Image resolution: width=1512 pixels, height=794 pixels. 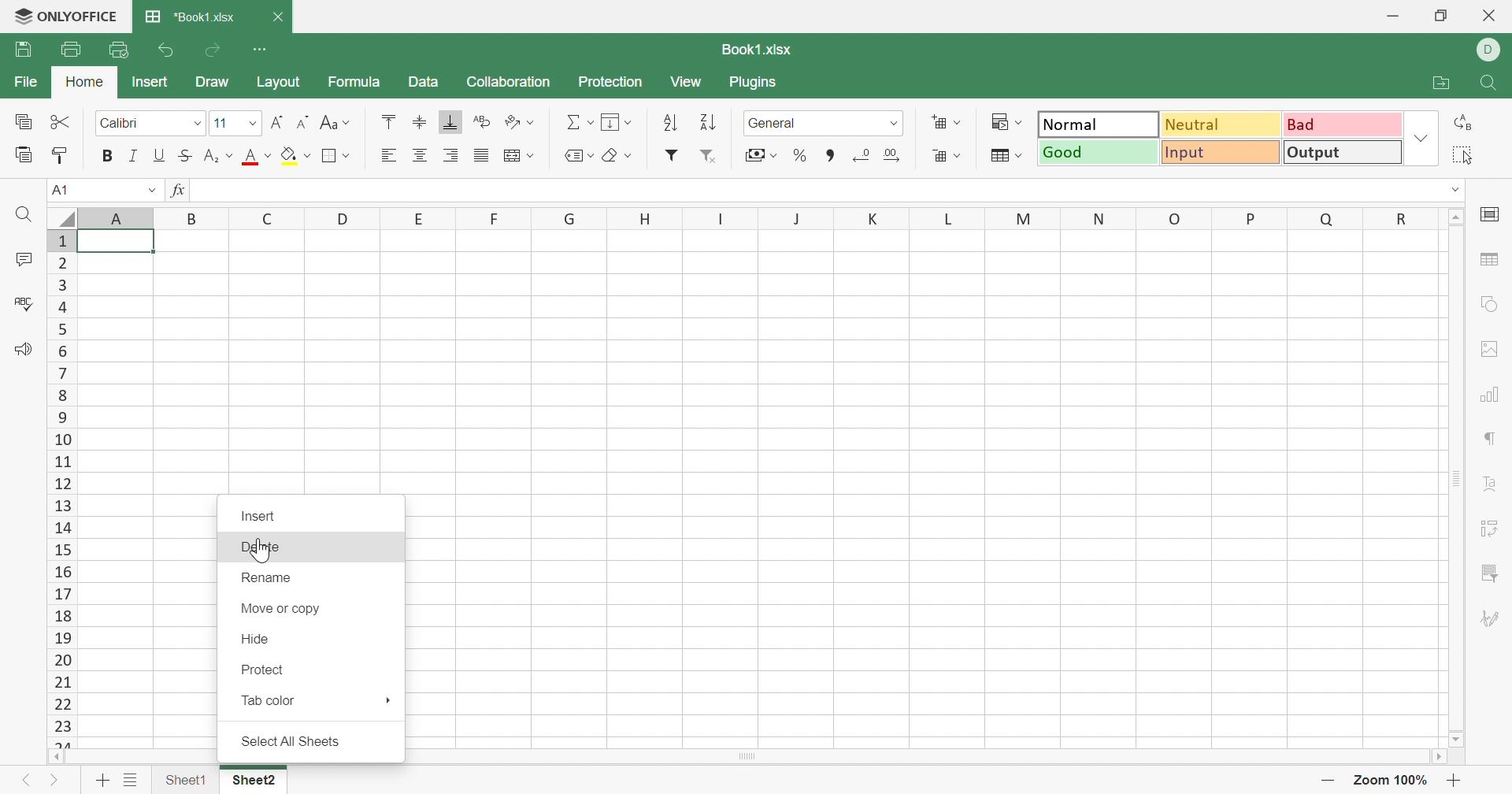 I want to click on Align Middle, so click(x=421, y=120).